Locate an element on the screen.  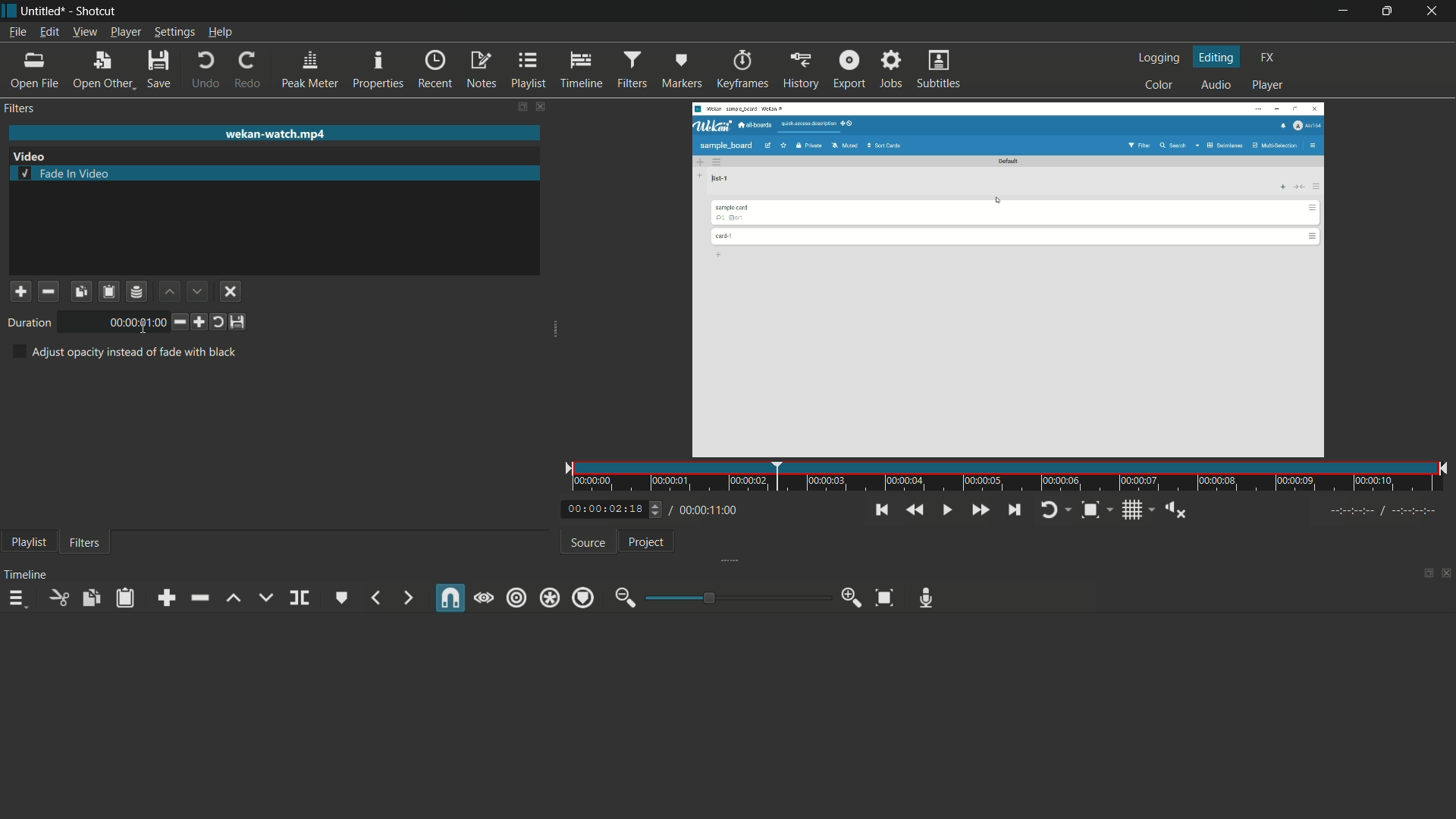
current time is located at coordinates (599, 510).